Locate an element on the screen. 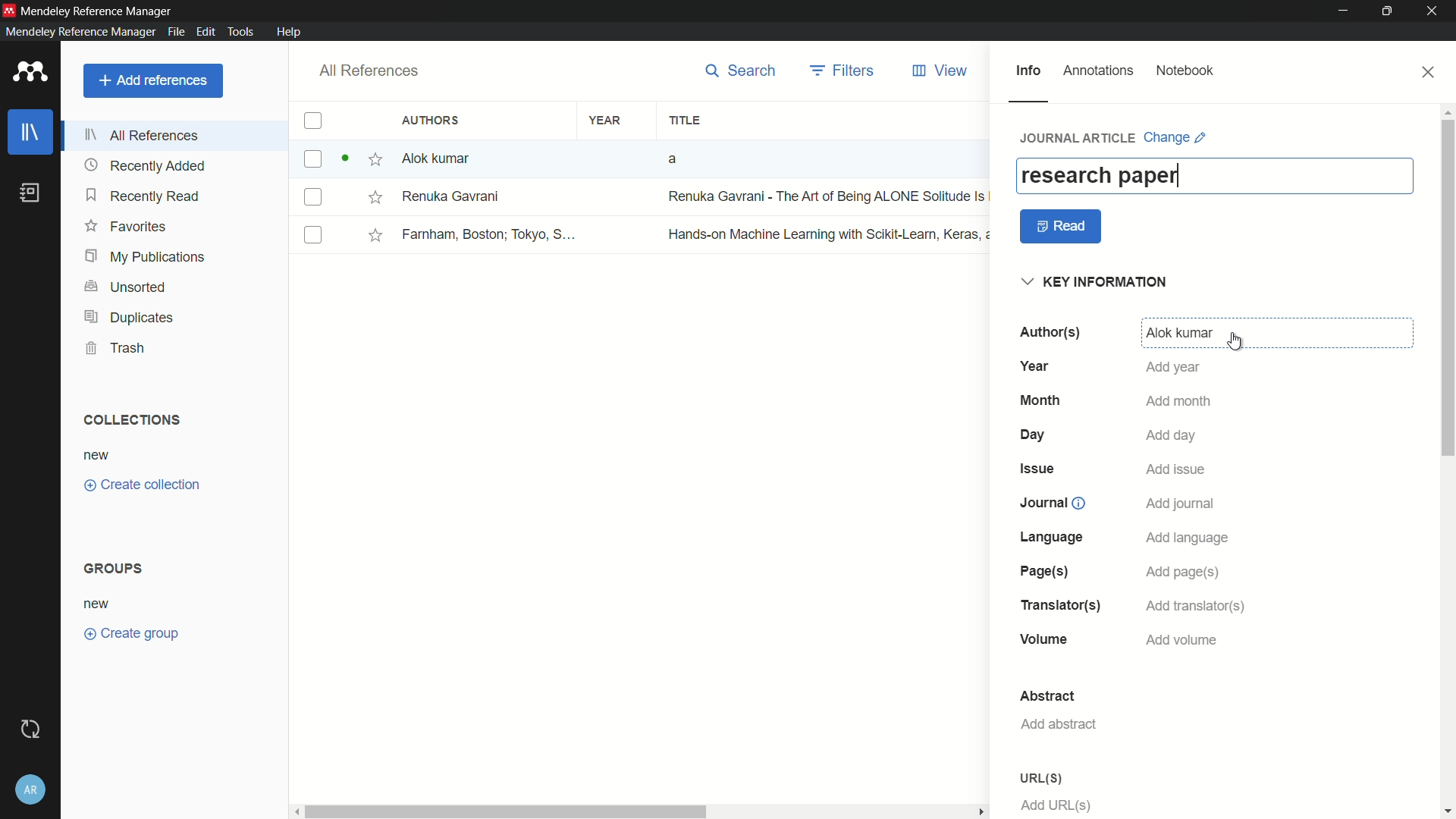  alok kumar is located at coordinates (1179, 334).